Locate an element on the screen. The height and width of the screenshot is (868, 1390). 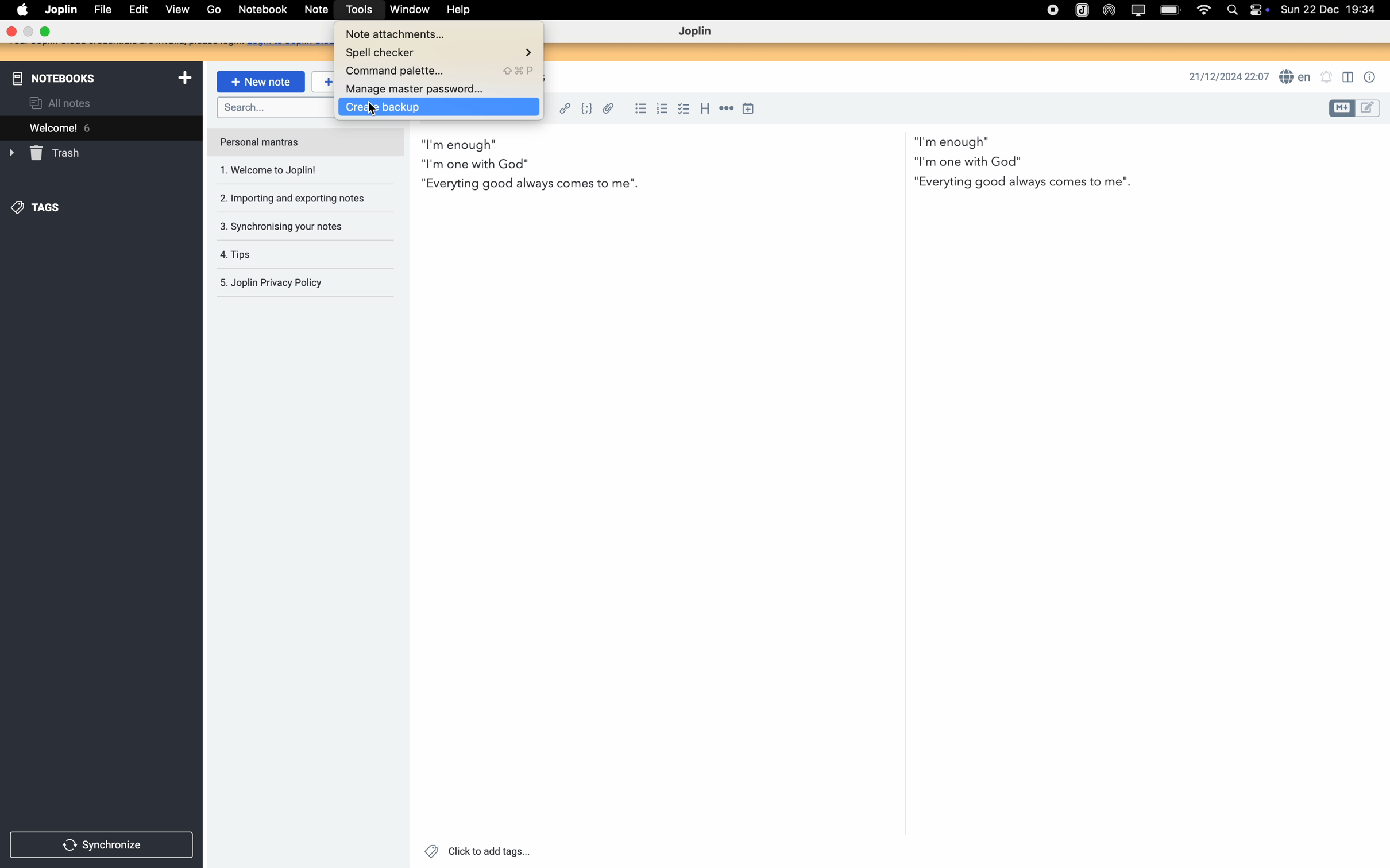
go is located at coordinates (213, 10).